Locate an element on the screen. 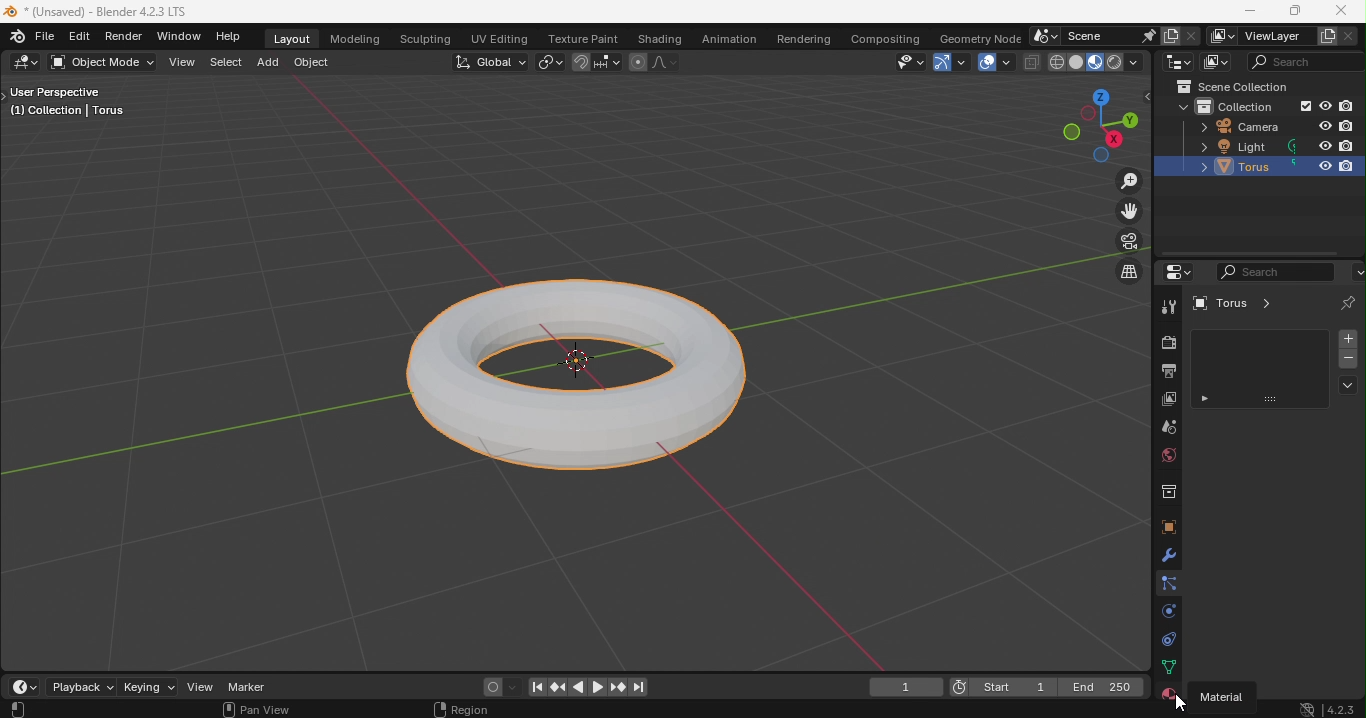 Image resolution: width=1366 pixels, height=718 pixels. Switch the current view from perspective/orthographic prokection is located at coordinates (1111, 274).